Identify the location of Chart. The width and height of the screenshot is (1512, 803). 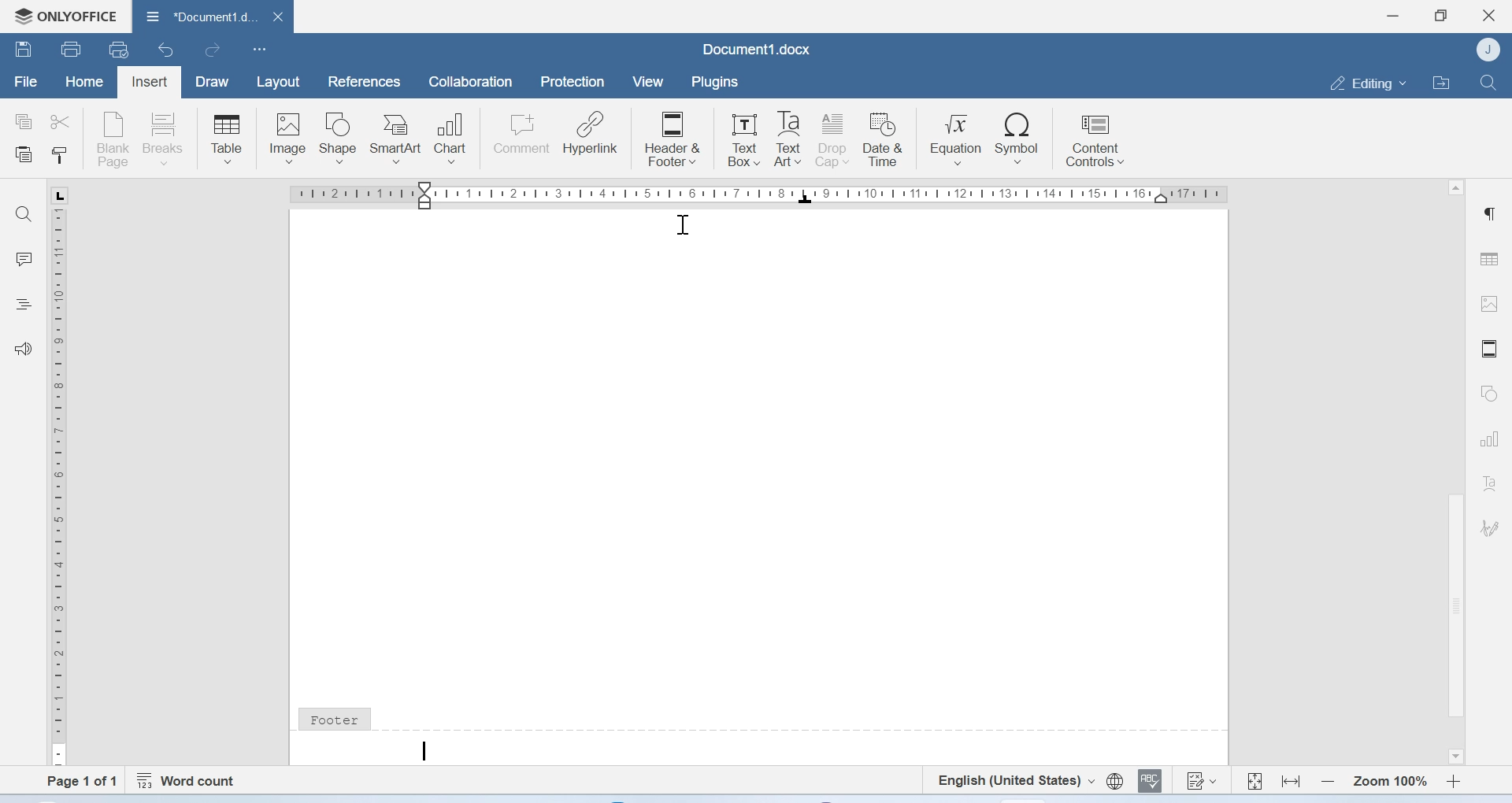
(456, 135).